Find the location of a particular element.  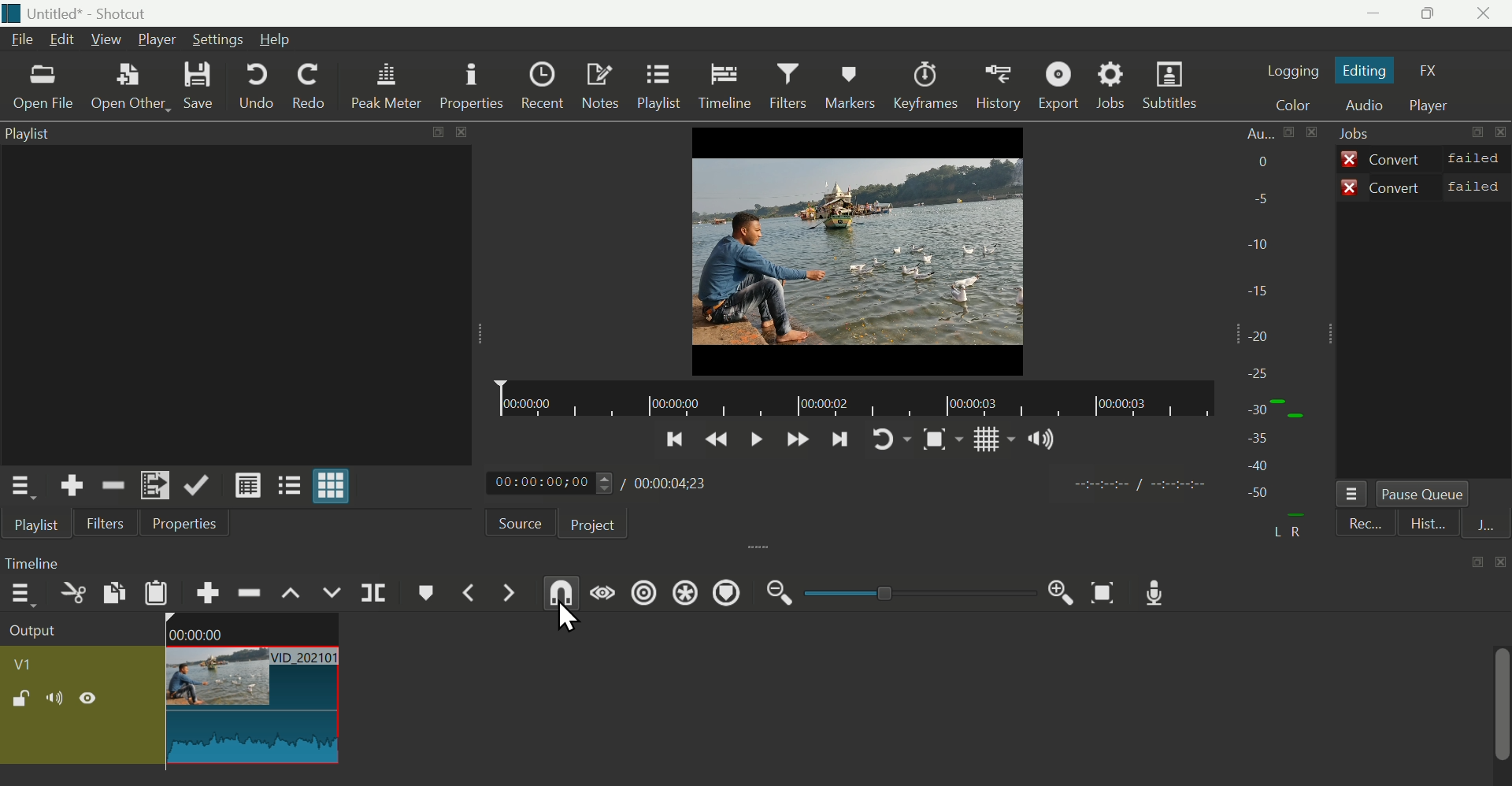

close is located at coordinates (1499, 562).